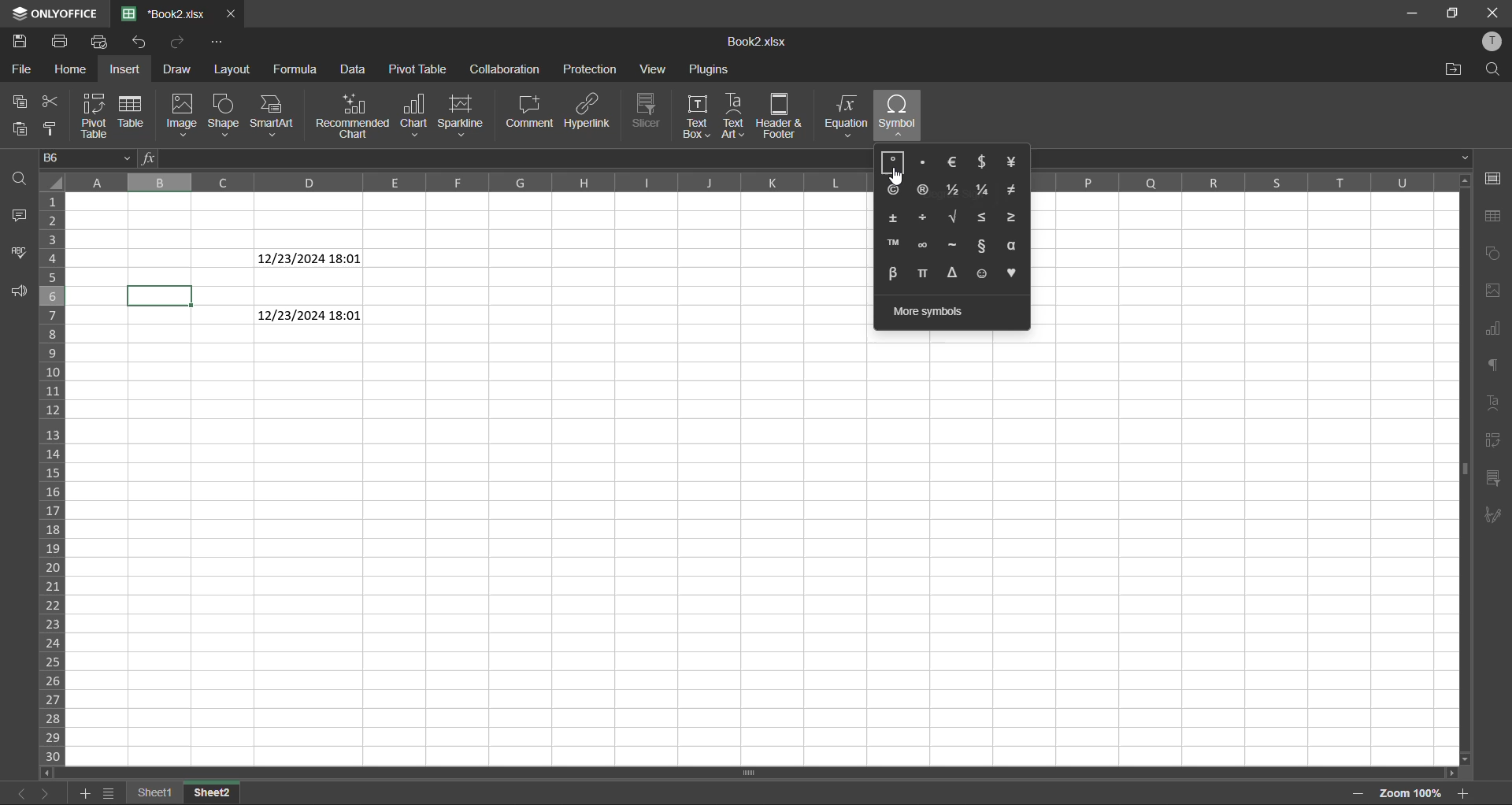 The image size is (1512, 805). I want to click on scrollbar, so click(756, 773).